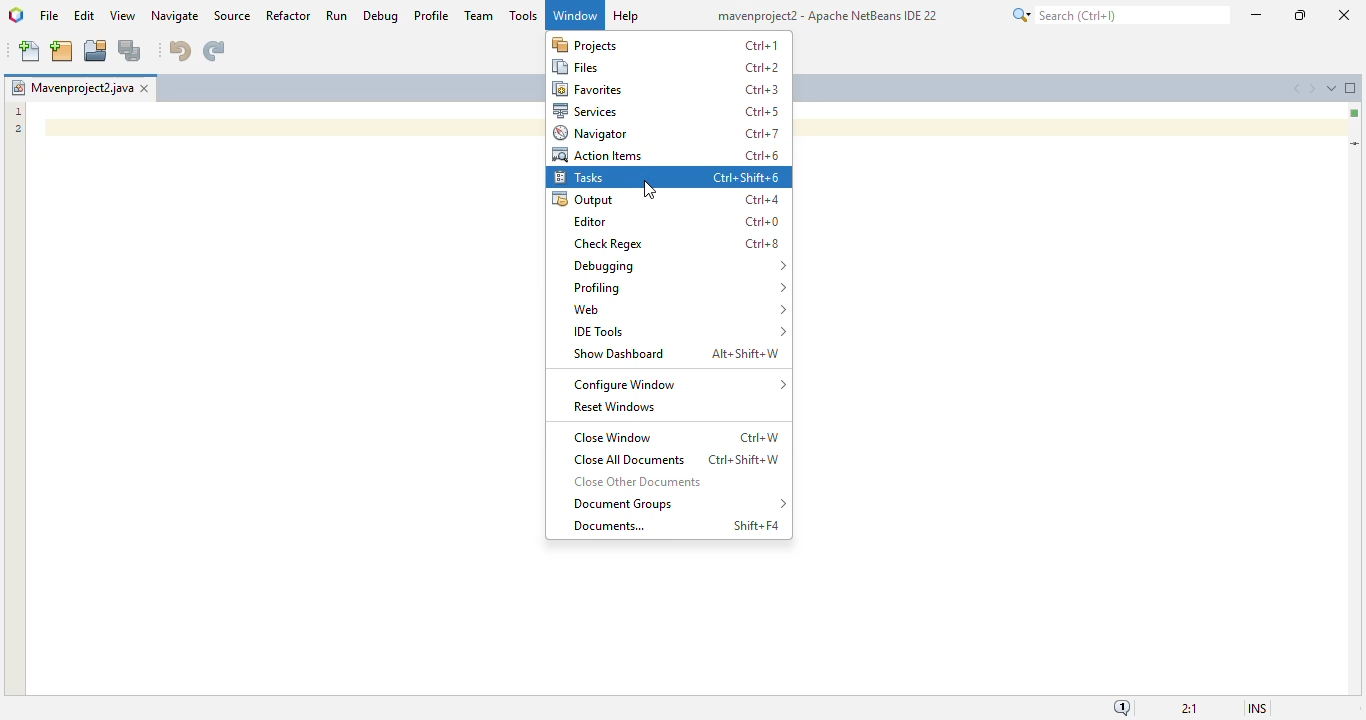 The width and height of the screenshot is (1366, 720). I want to click on current line, so click(1355, 144).